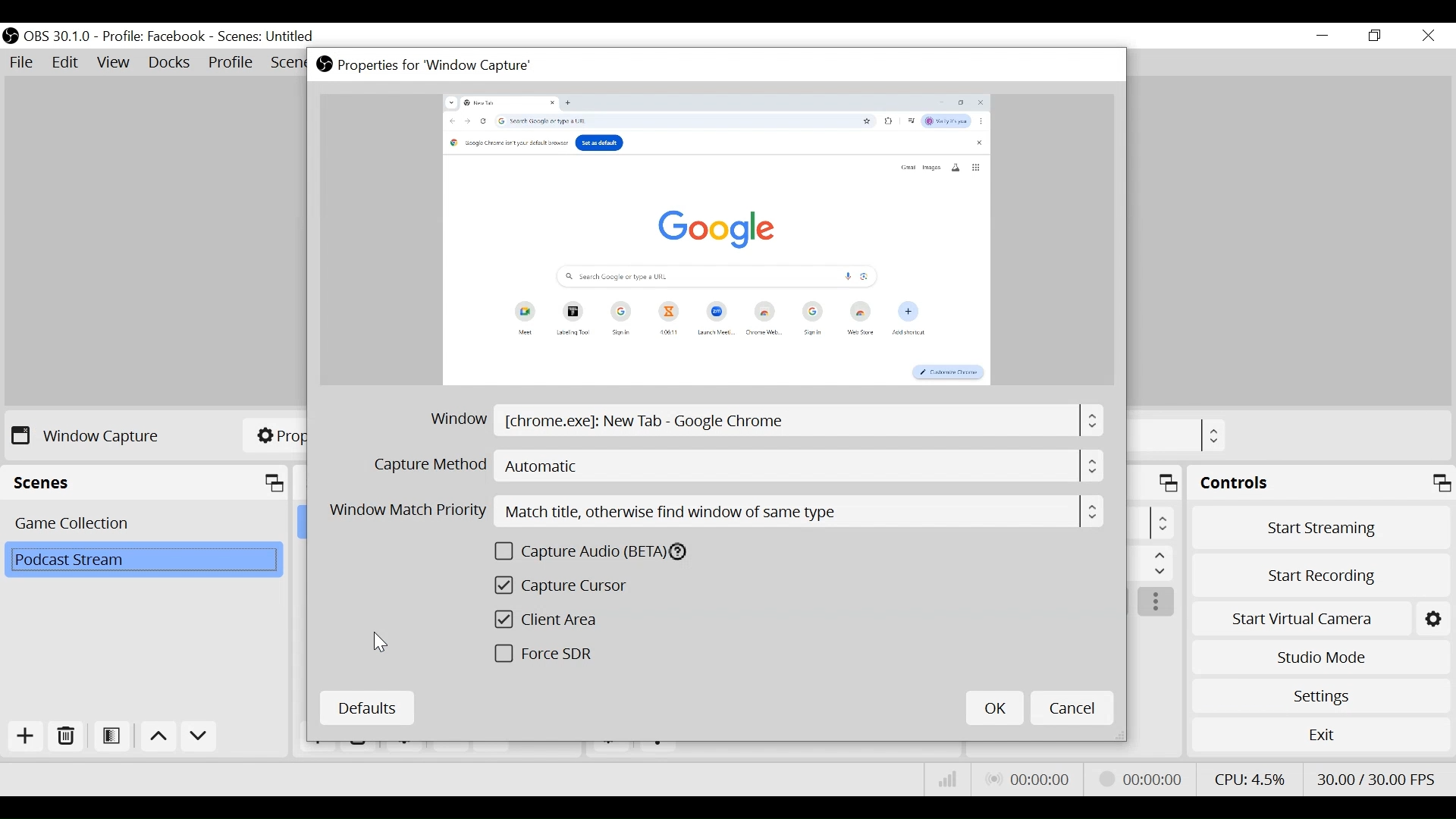  What do you see at coordinates (1156, 603) in the screenshot?
I see `More` at bounding box center [1156, 603].